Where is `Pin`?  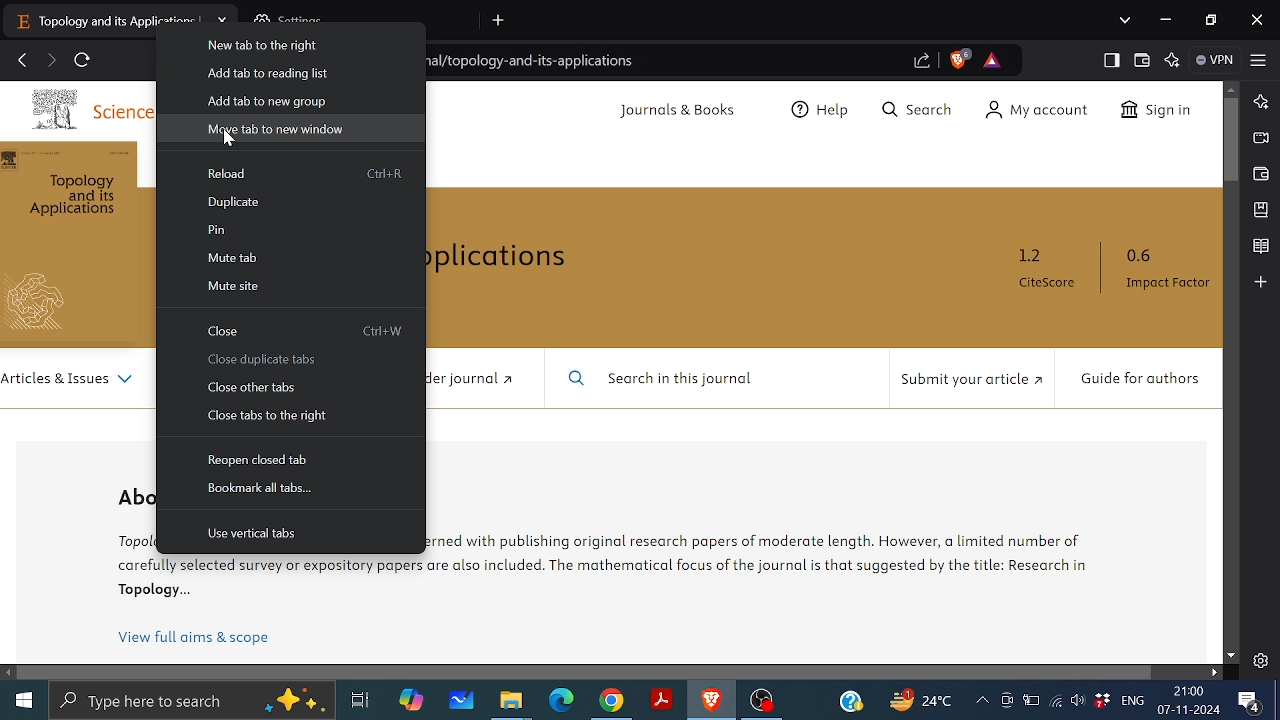
Pin is located at coordinates (217, 231).